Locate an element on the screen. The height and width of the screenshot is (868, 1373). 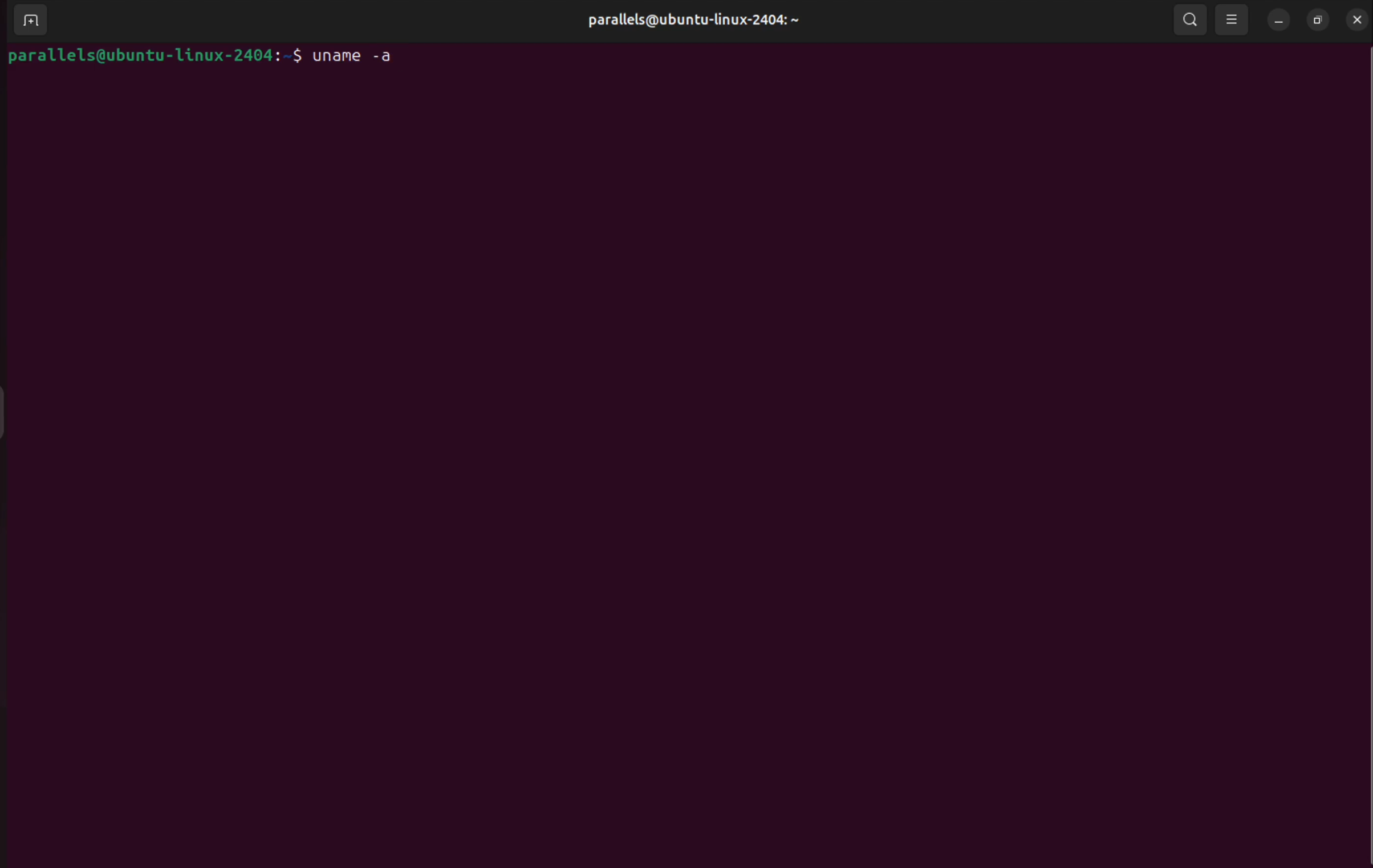
uname- a is located at coordinates (367, 56).